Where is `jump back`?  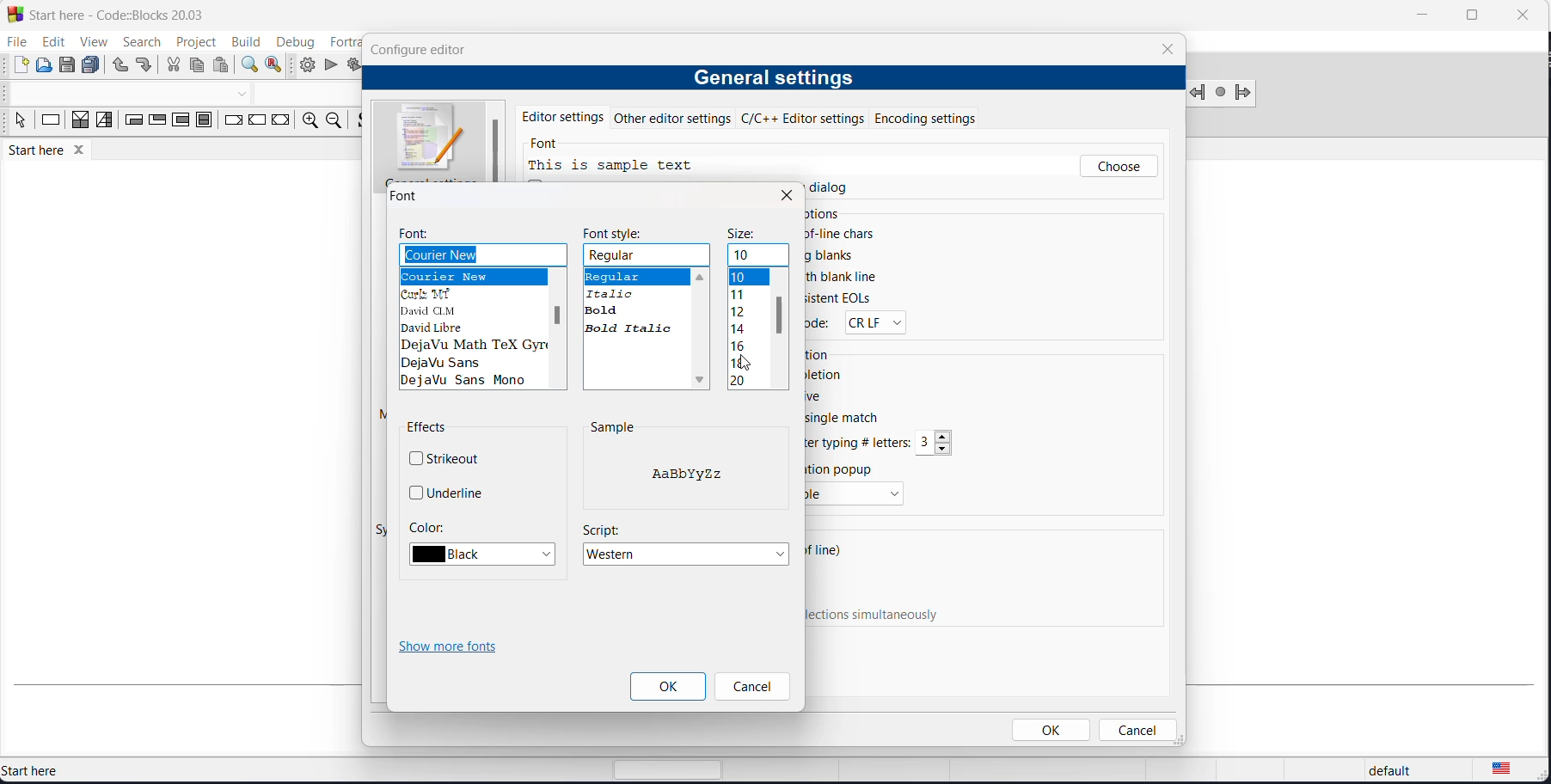 jump back is located at coordinates (1199, 93).